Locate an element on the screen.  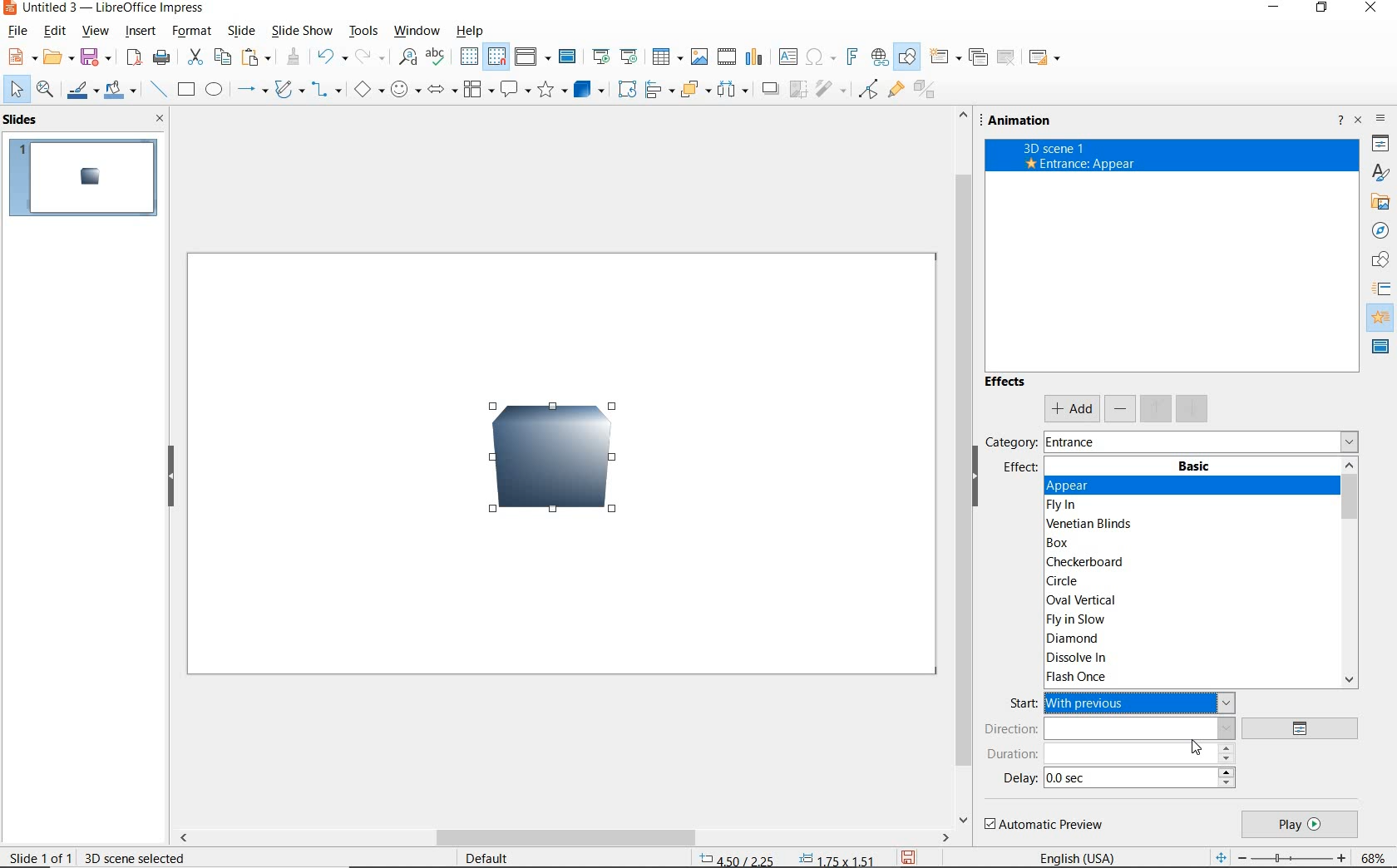
tools is located at coordinates (363, 31).